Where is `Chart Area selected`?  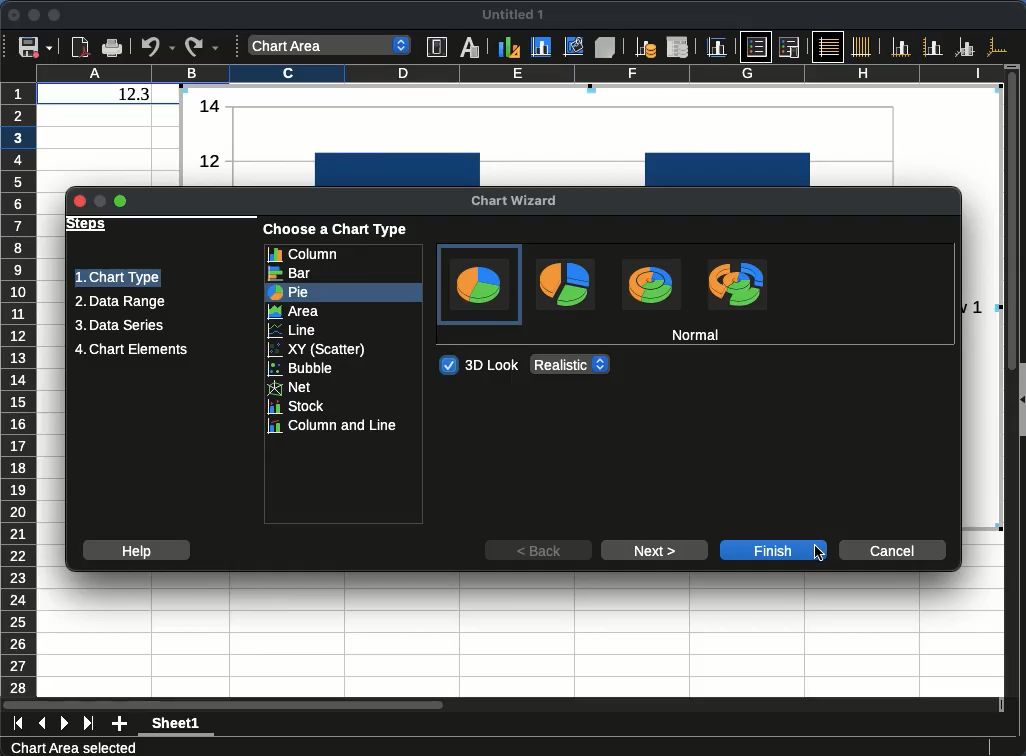
Chart Area selected is located at coordinates (73, 747).